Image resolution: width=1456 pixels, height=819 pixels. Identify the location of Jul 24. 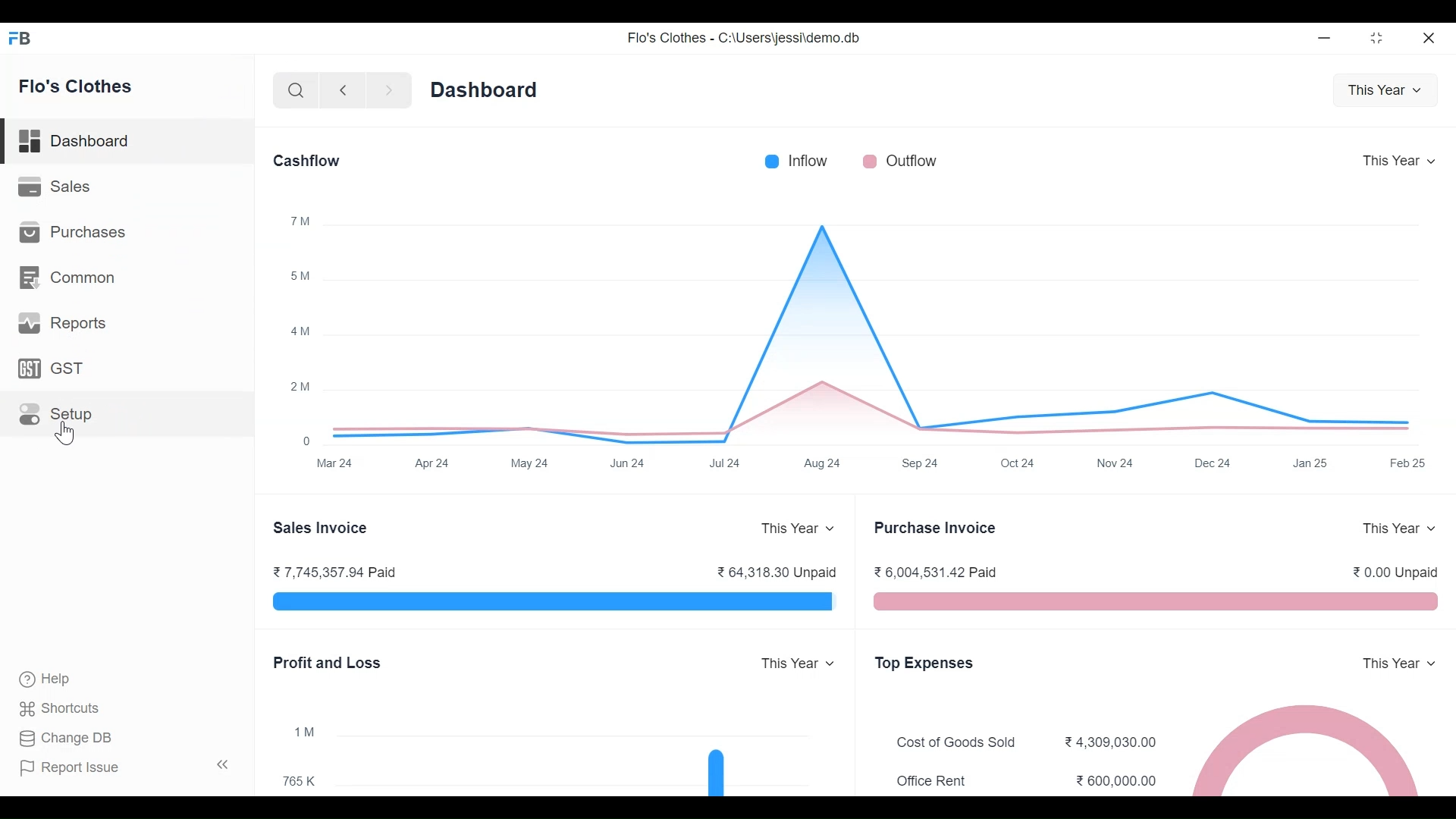
(728, 463).